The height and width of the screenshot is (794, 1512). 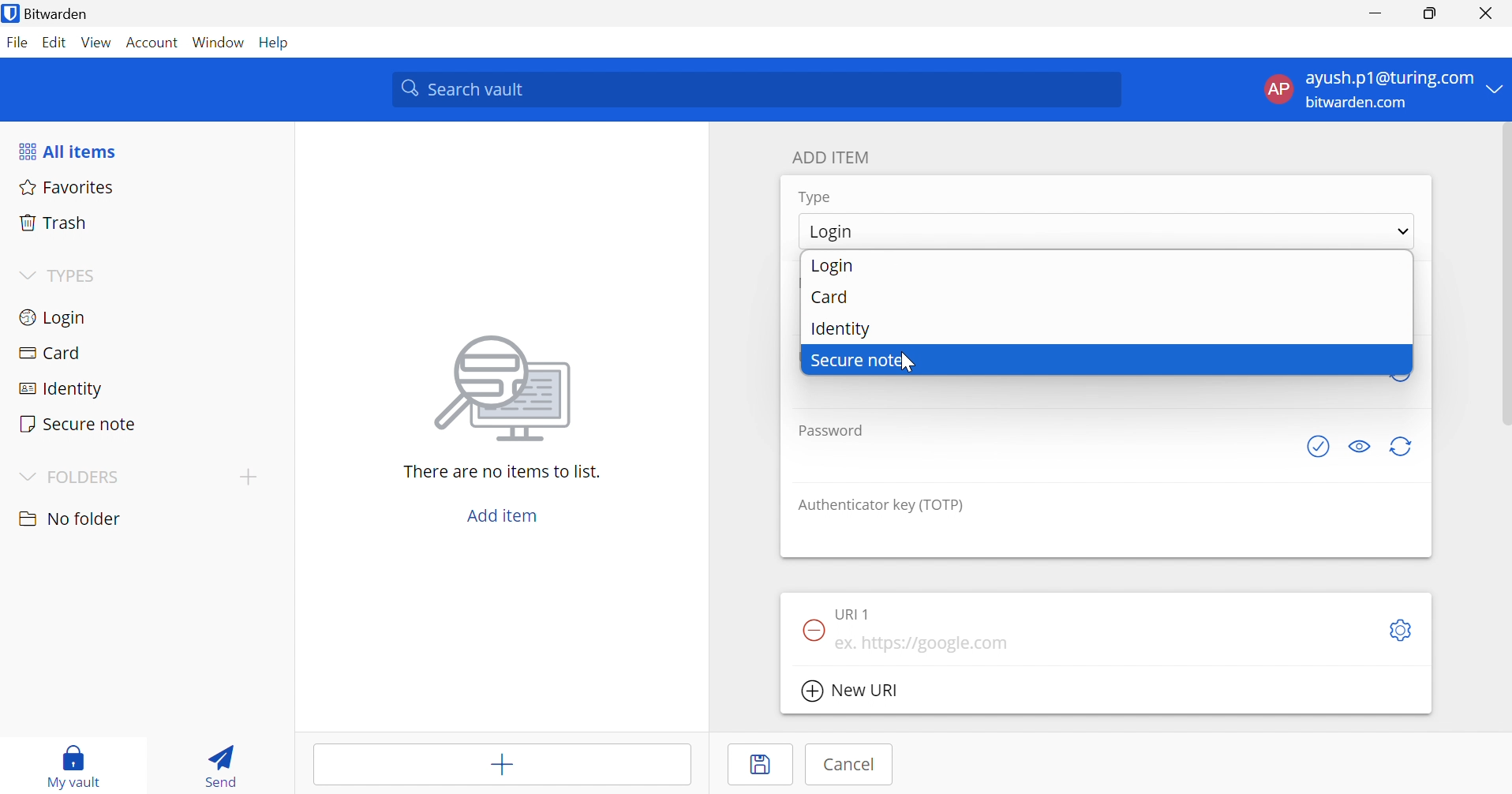 I want to click on Cancel, so click(x=855, y=765).